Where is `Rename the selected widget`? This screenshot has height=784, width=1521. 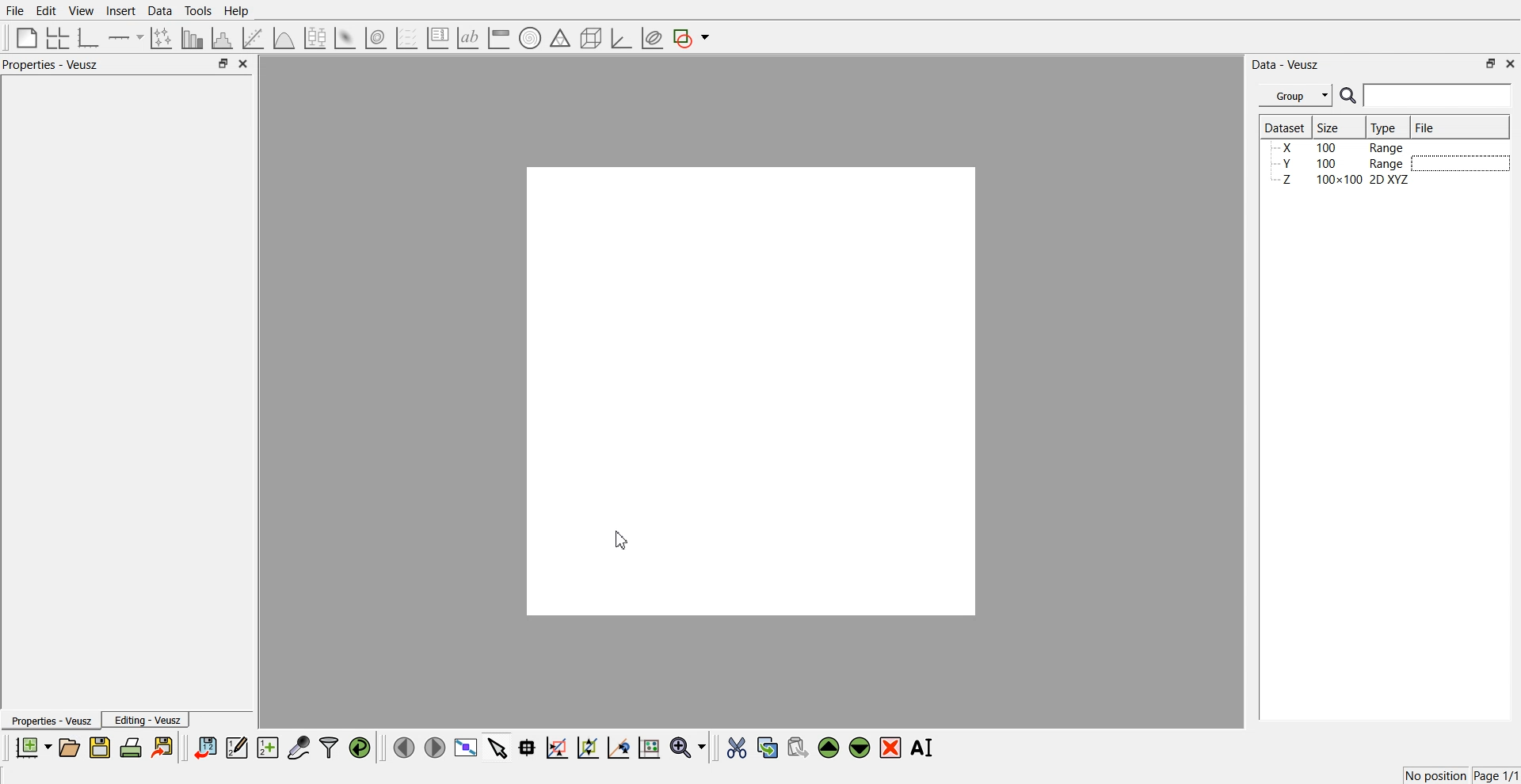
Rename the selected widget is located at coordinates (924, 748).